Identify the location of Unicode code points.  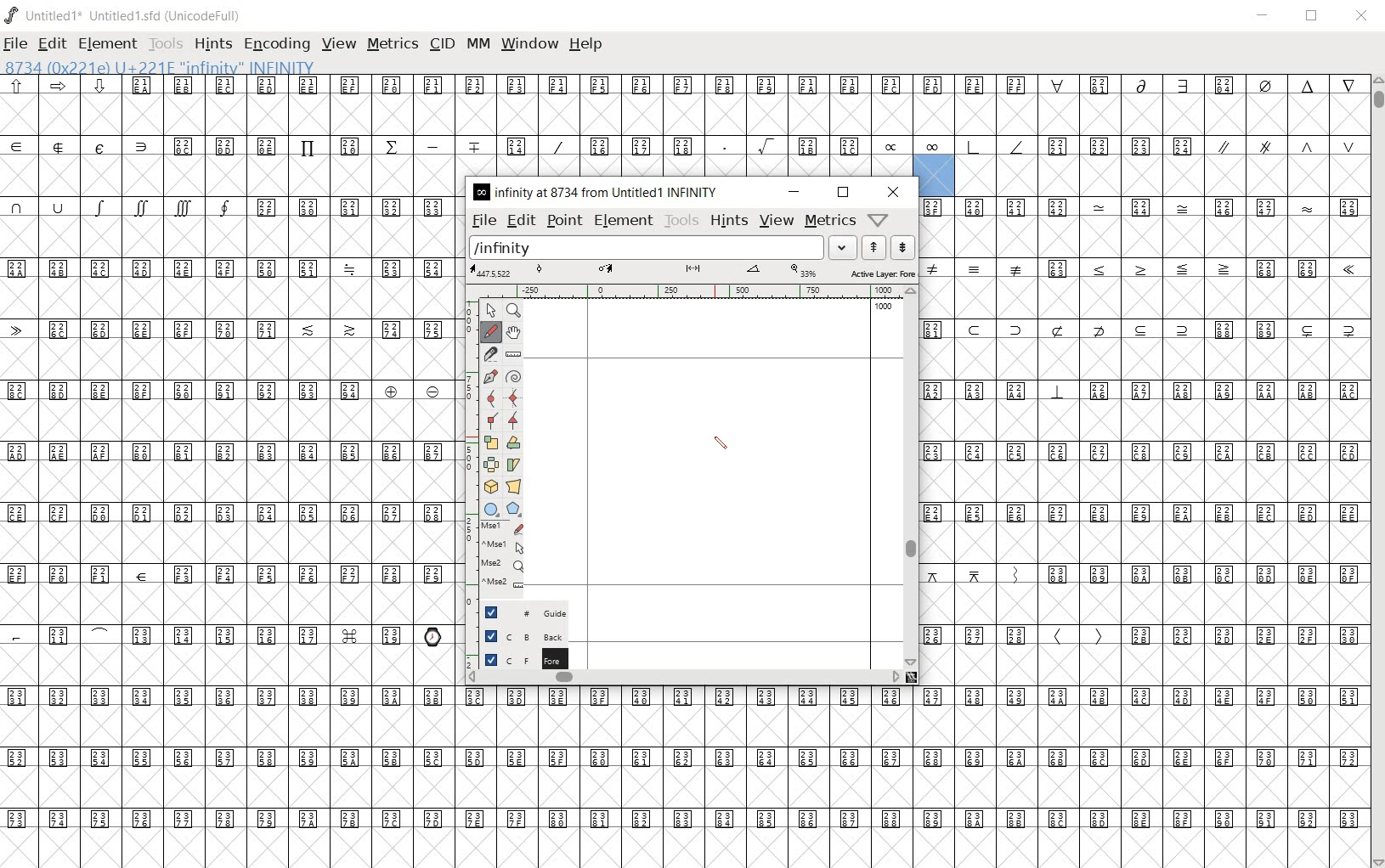
(516, 145).